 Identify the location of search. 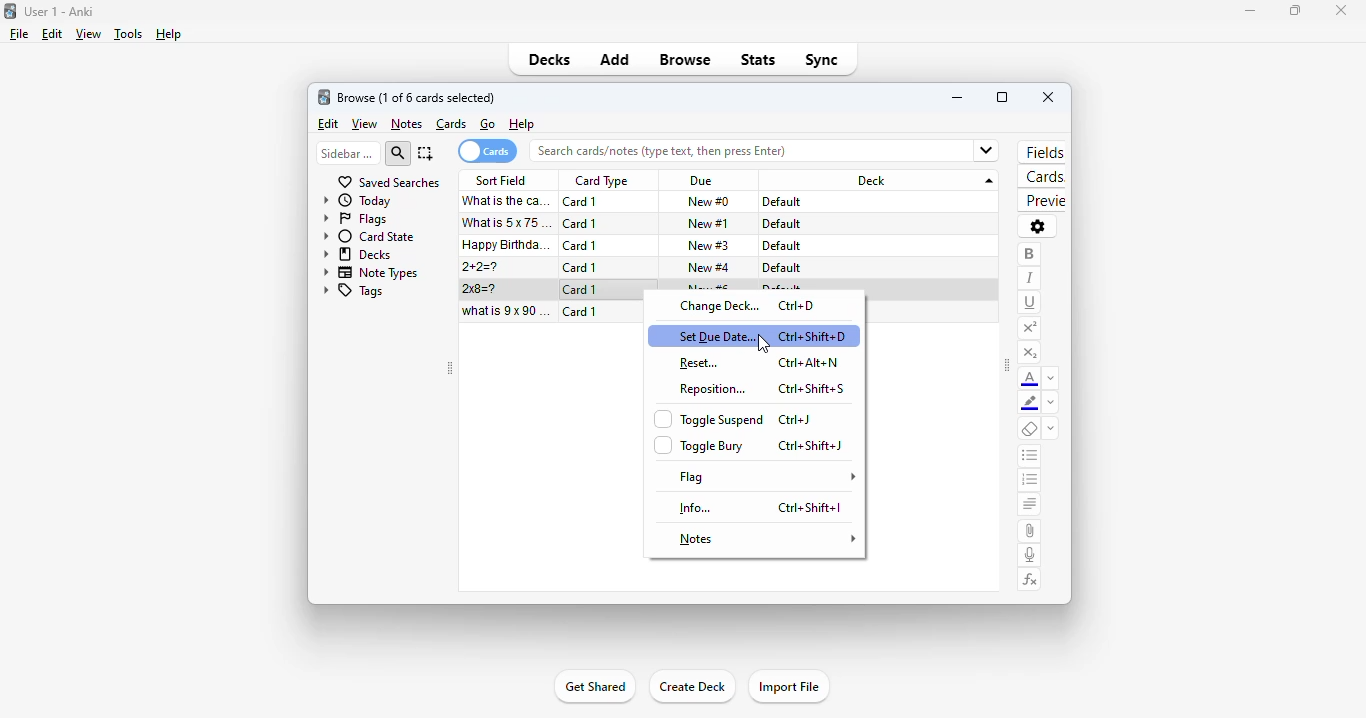
(399, 153).